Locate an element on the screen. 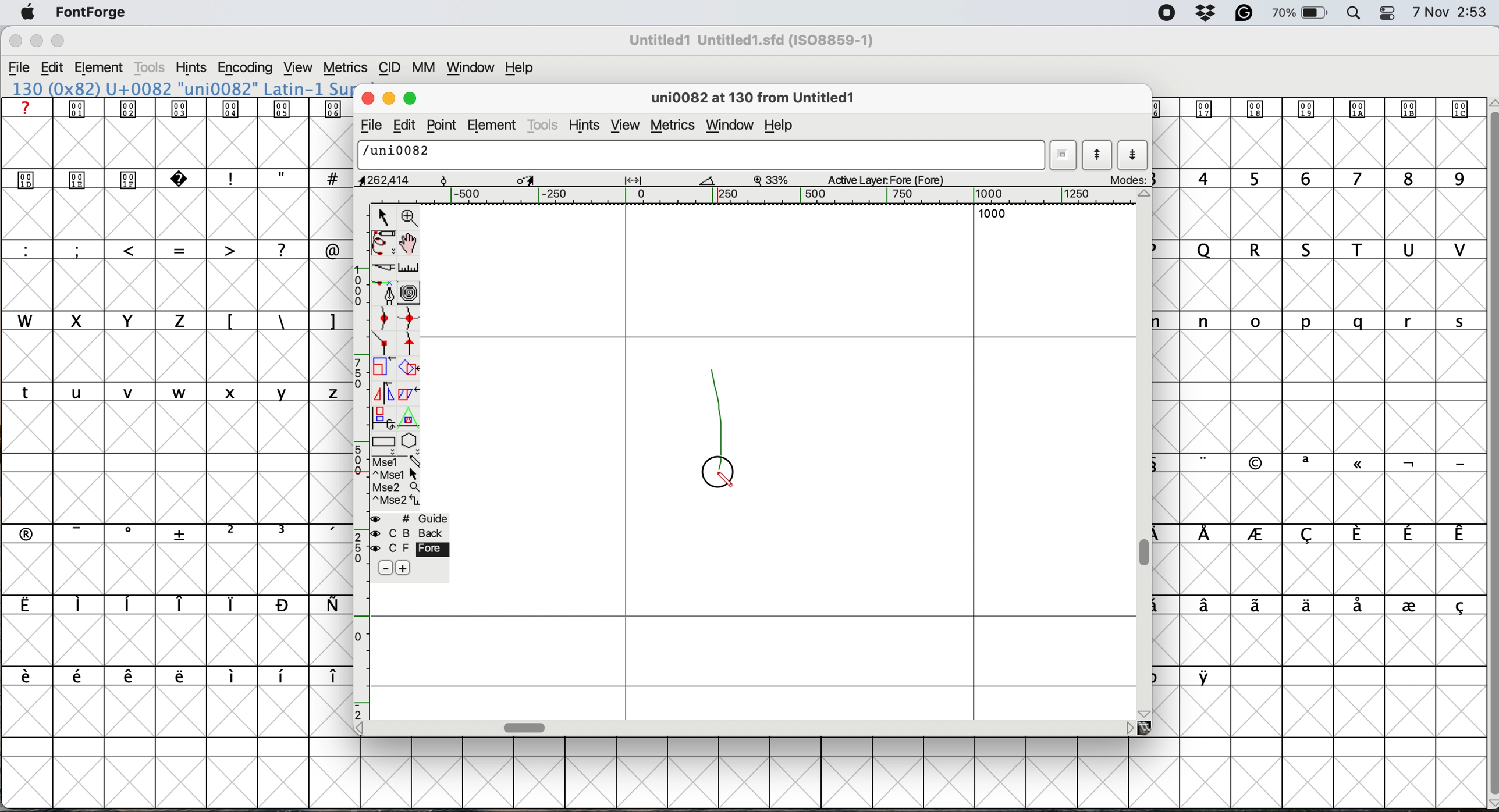  current word list is located at coordinates (1065, 155).